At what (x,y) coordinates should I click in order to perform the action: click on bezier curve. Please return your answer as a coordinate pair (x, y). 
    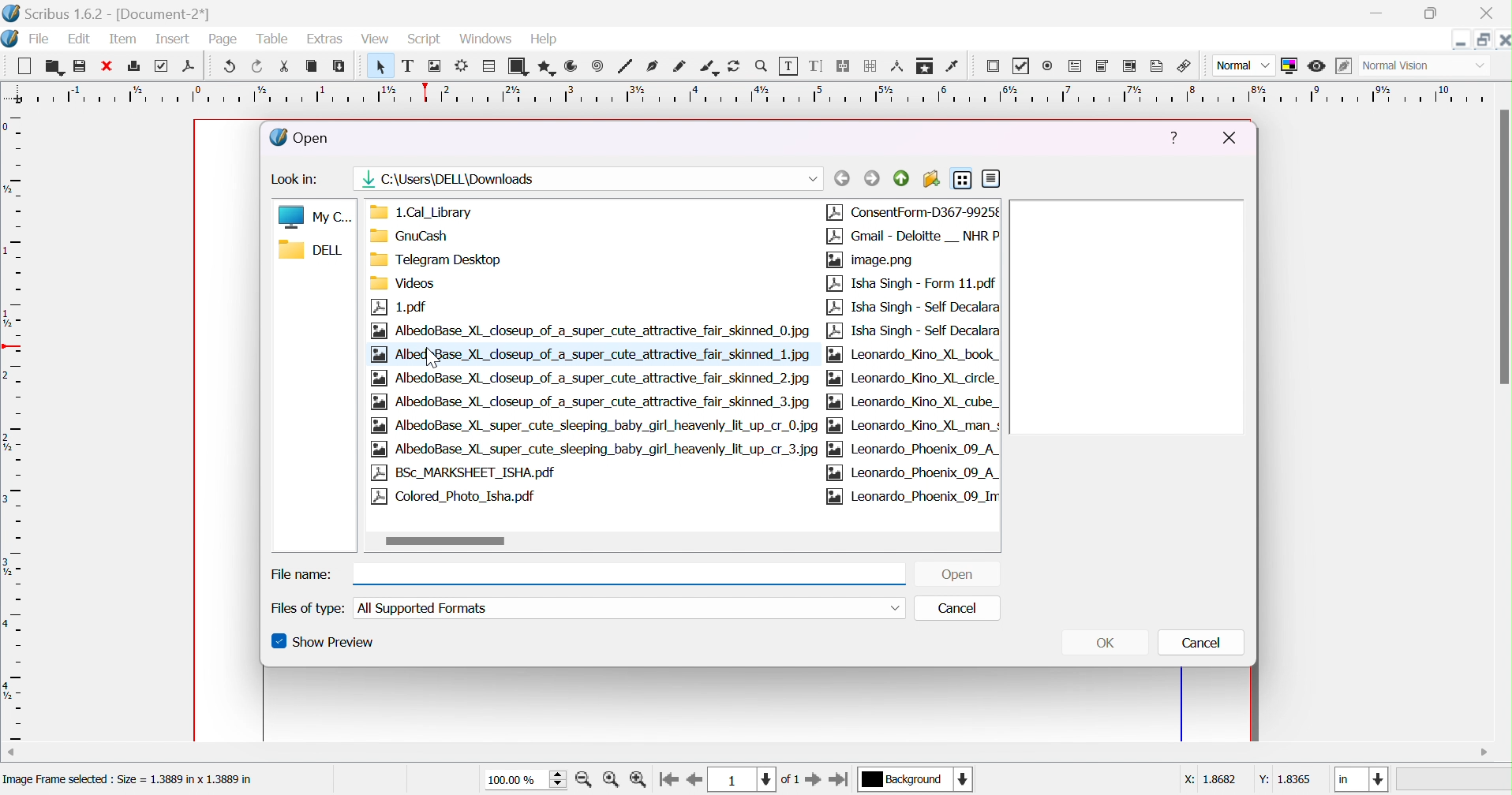
    Looking at the image, I should click on (653, 65).